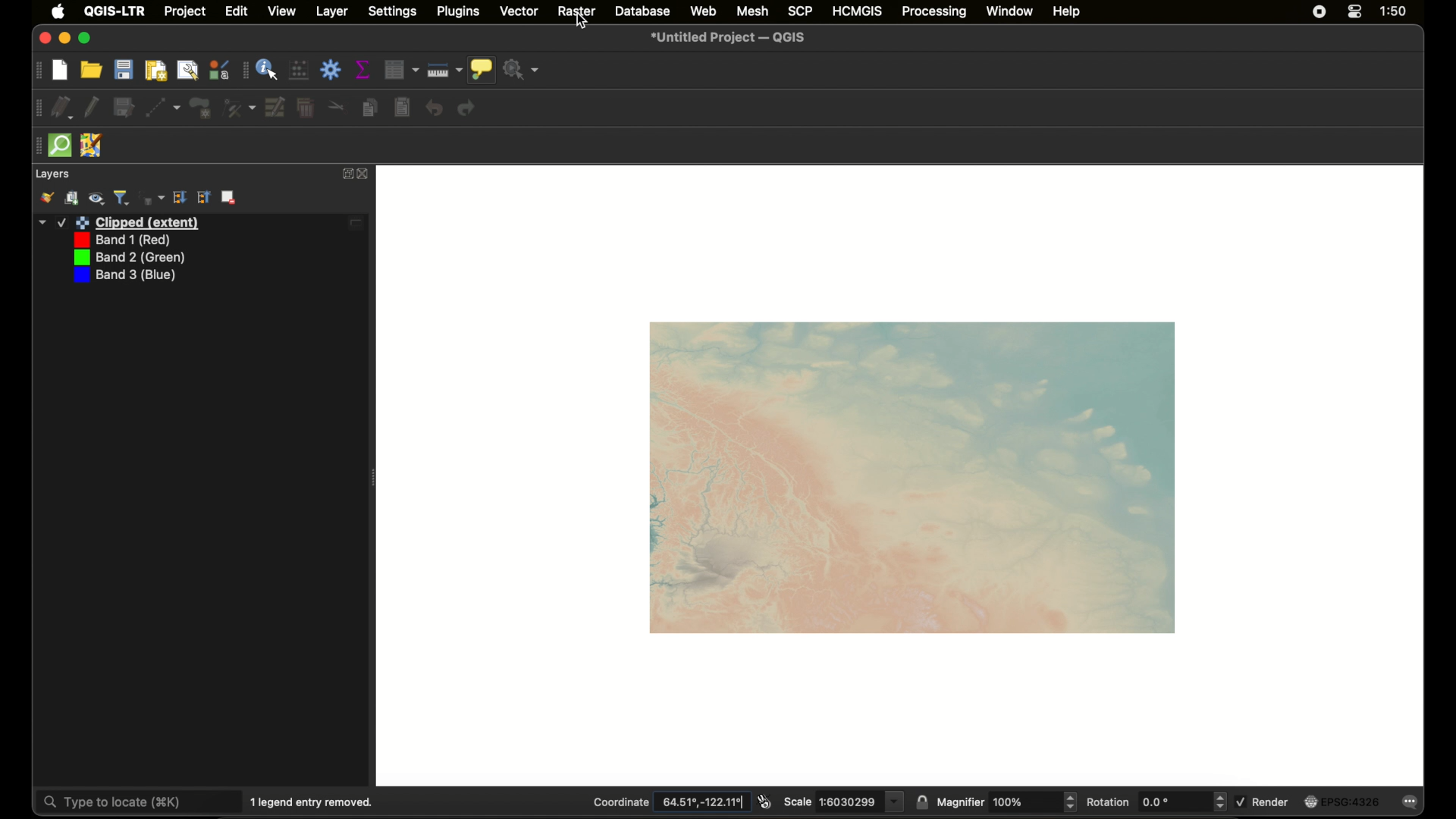 The height and width of the screenshot is (819, 1456). Describe the element at coordinates (115, 11) in the screenshot. I see `QGIS - LTR` at that location.